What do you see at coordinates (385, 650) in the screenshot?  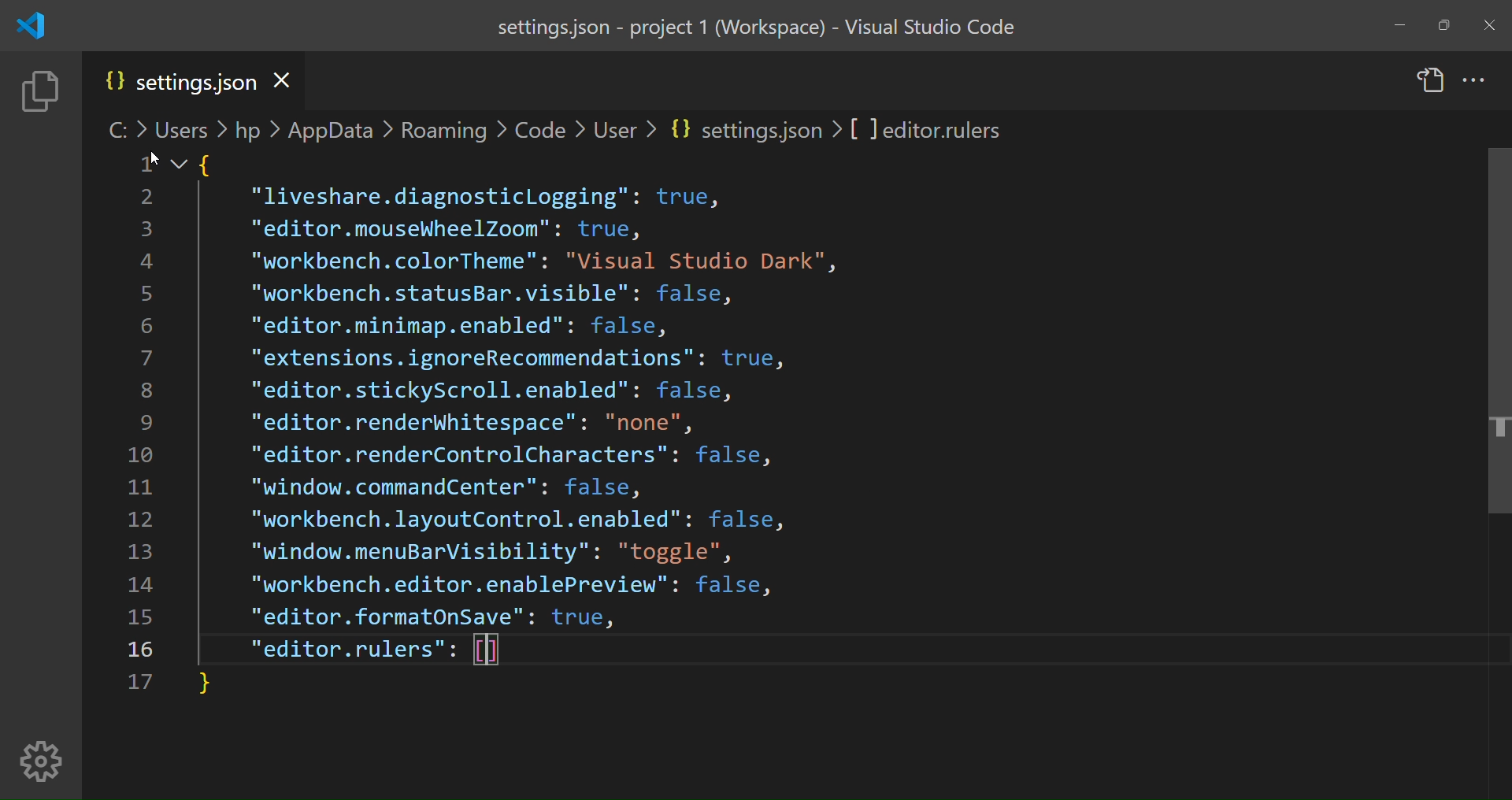 I see `editor rulers option` at bounding box center [385, 650].